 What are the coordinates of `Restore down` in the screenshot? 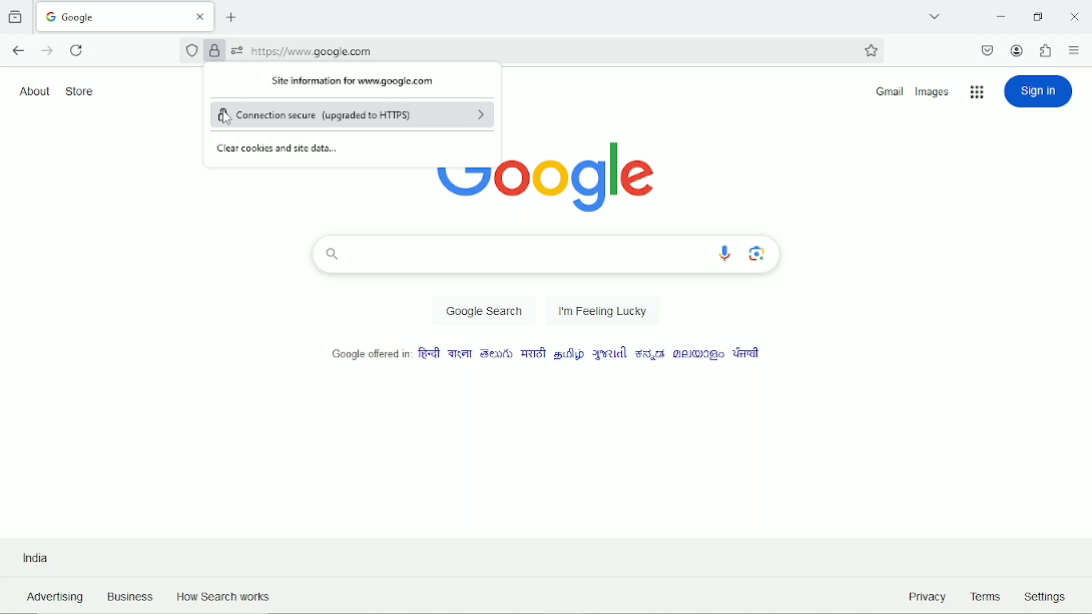 It's located at (1038, 16).